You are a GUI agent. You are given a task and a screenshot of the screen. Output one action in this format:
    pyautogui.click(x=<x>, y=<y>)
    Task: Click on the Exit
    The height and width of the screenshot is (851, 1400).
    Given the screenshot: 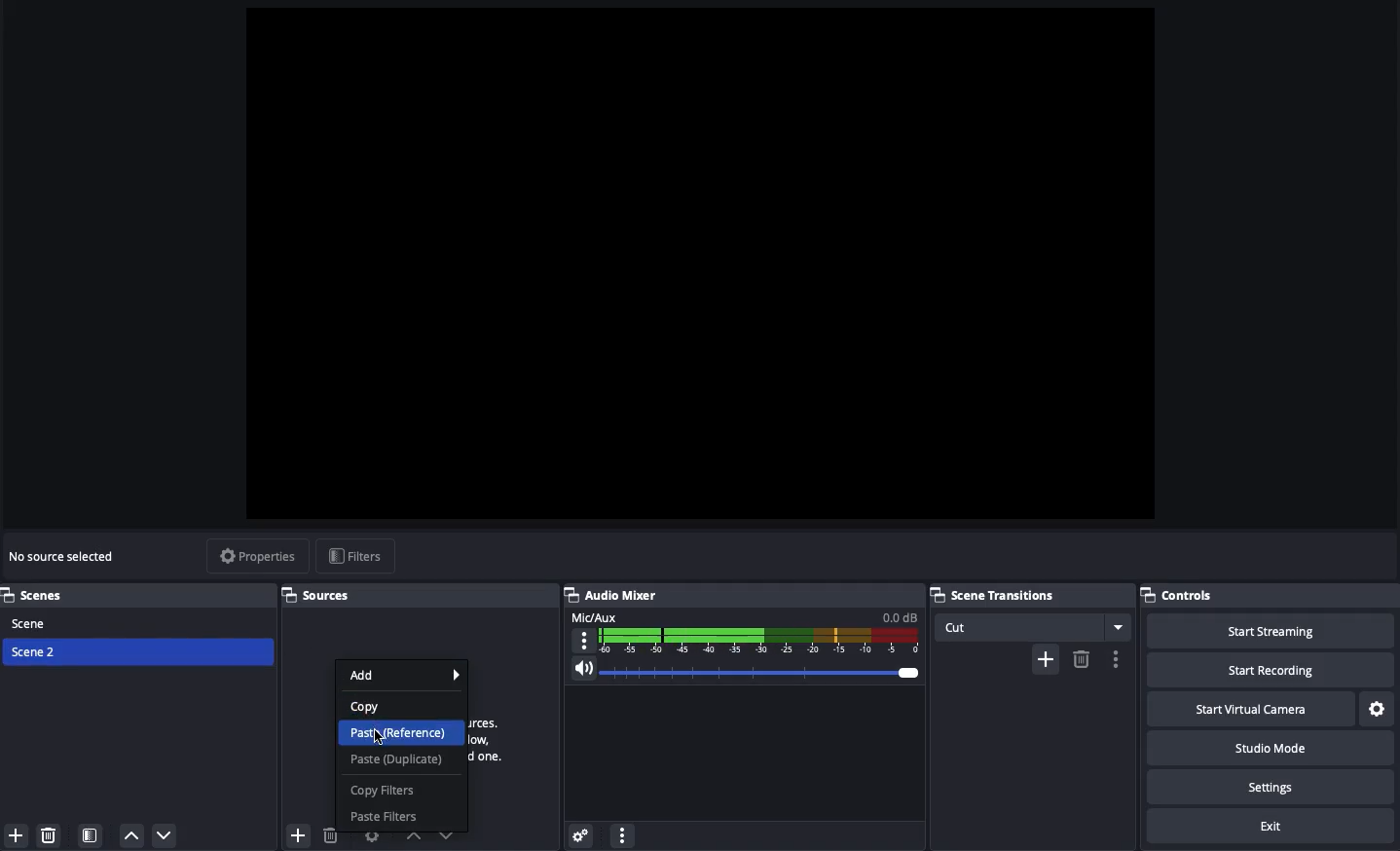 What is the action you would take?
    pyautogui.click(x=1271, y=824)
    